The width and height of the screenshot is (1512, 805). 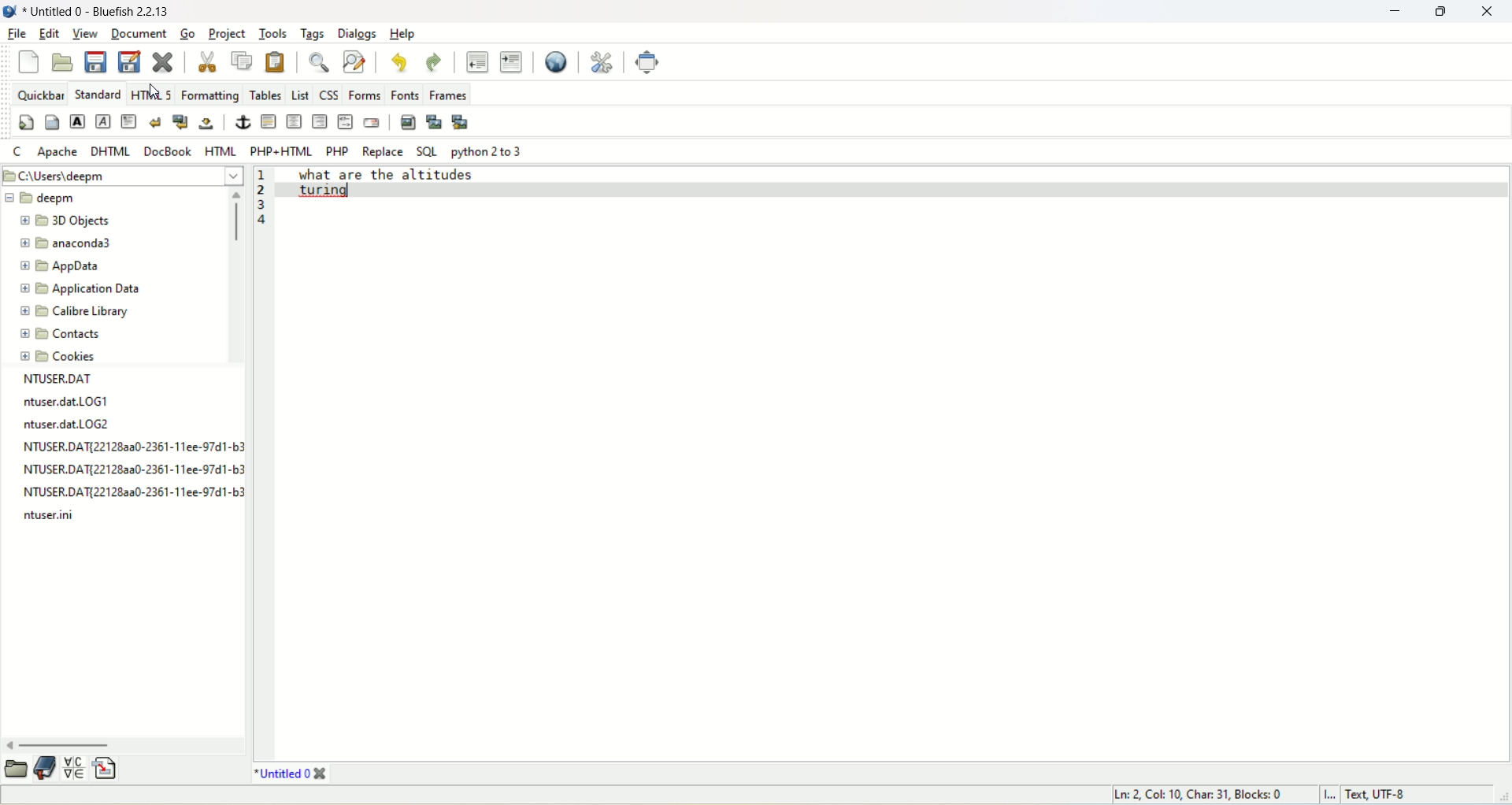 What do you see at coordinates (358, 35) in the screenshot?
I see `dialogs` at bounding box center [358, 35].